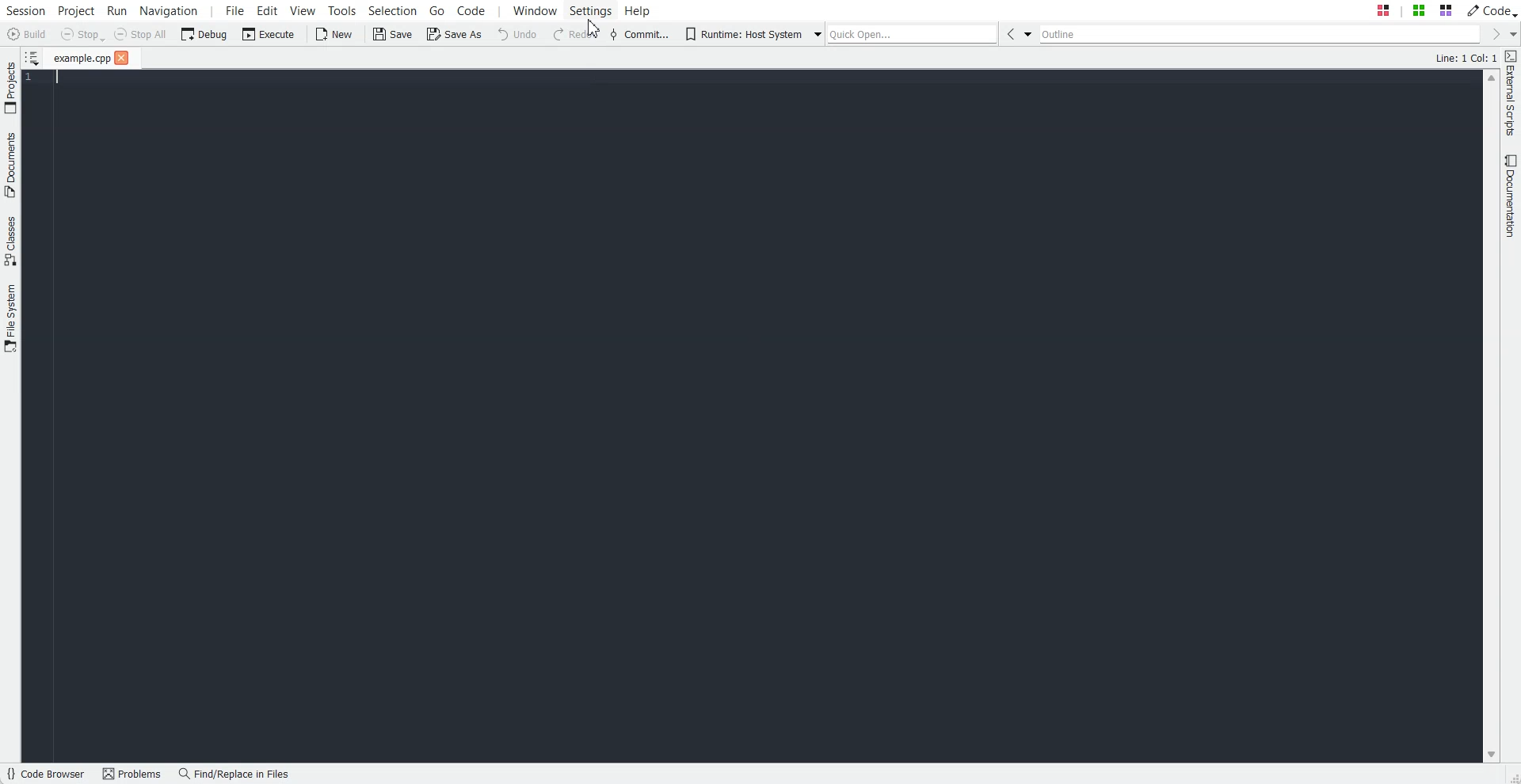  What do you see at coordinates (639, 34) in the screenshot?
I see `Commit` at bounding box center [639, 34].